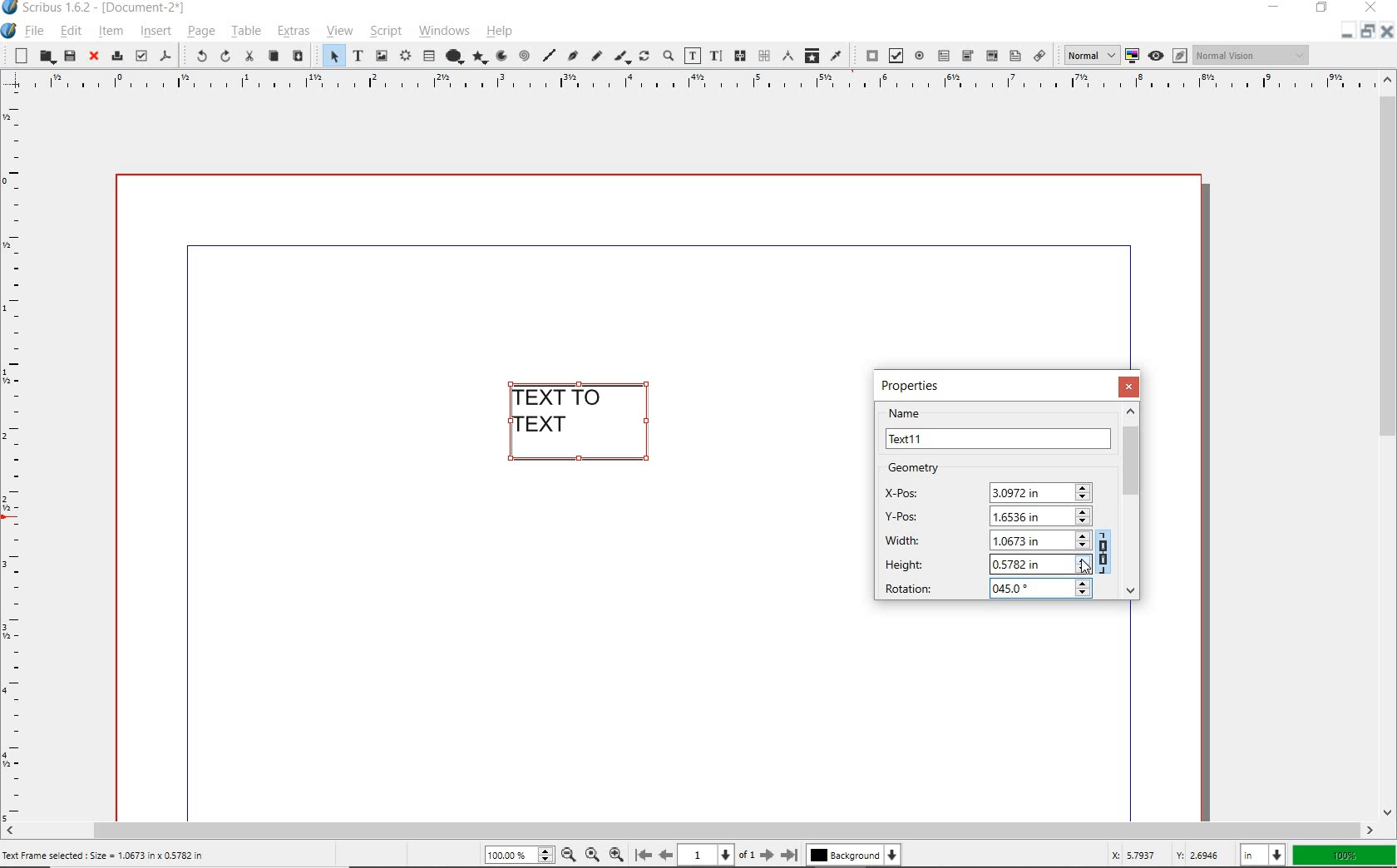  I want to click on Y-POS, so click(984, 515).